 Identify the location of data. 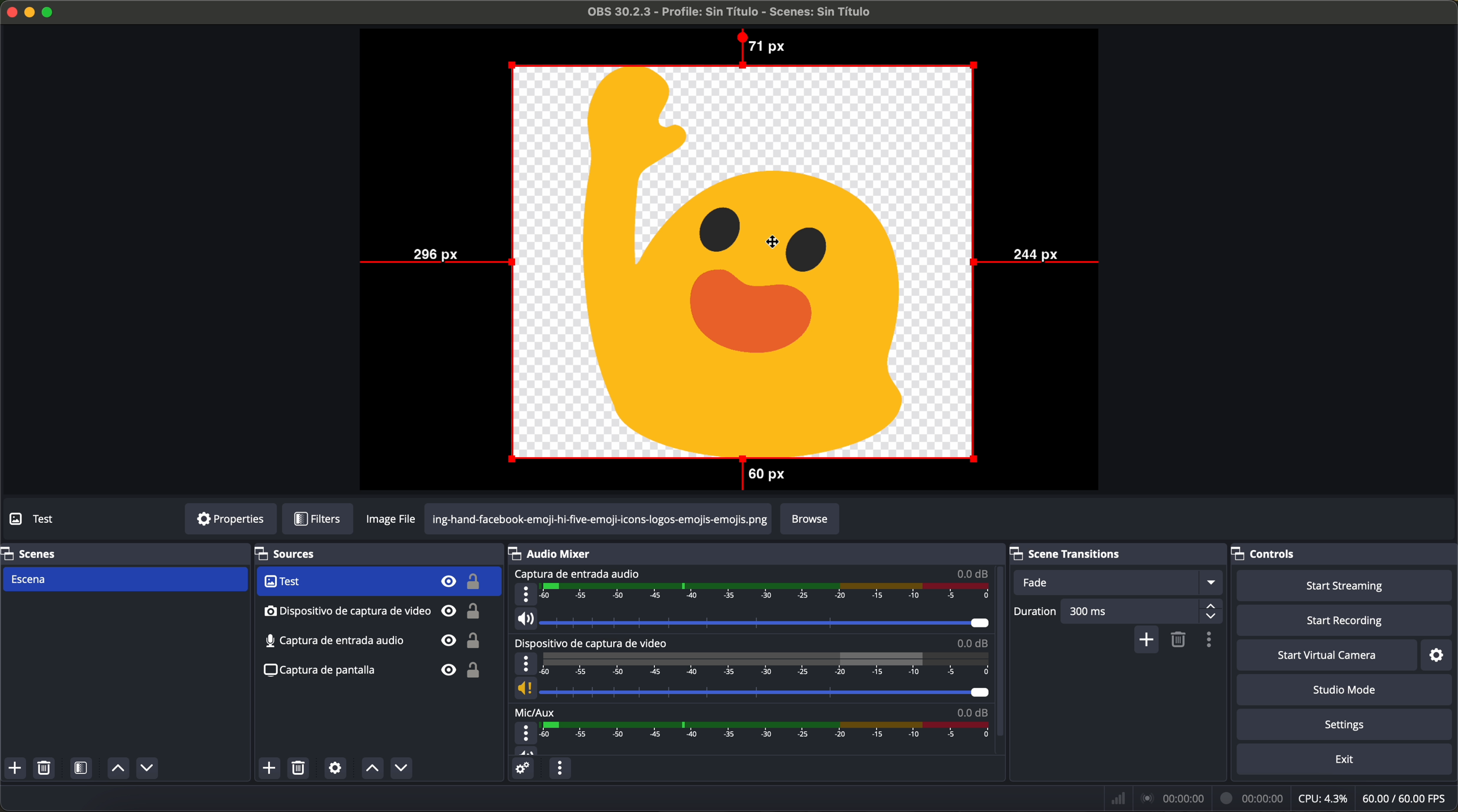
(1281, 798).